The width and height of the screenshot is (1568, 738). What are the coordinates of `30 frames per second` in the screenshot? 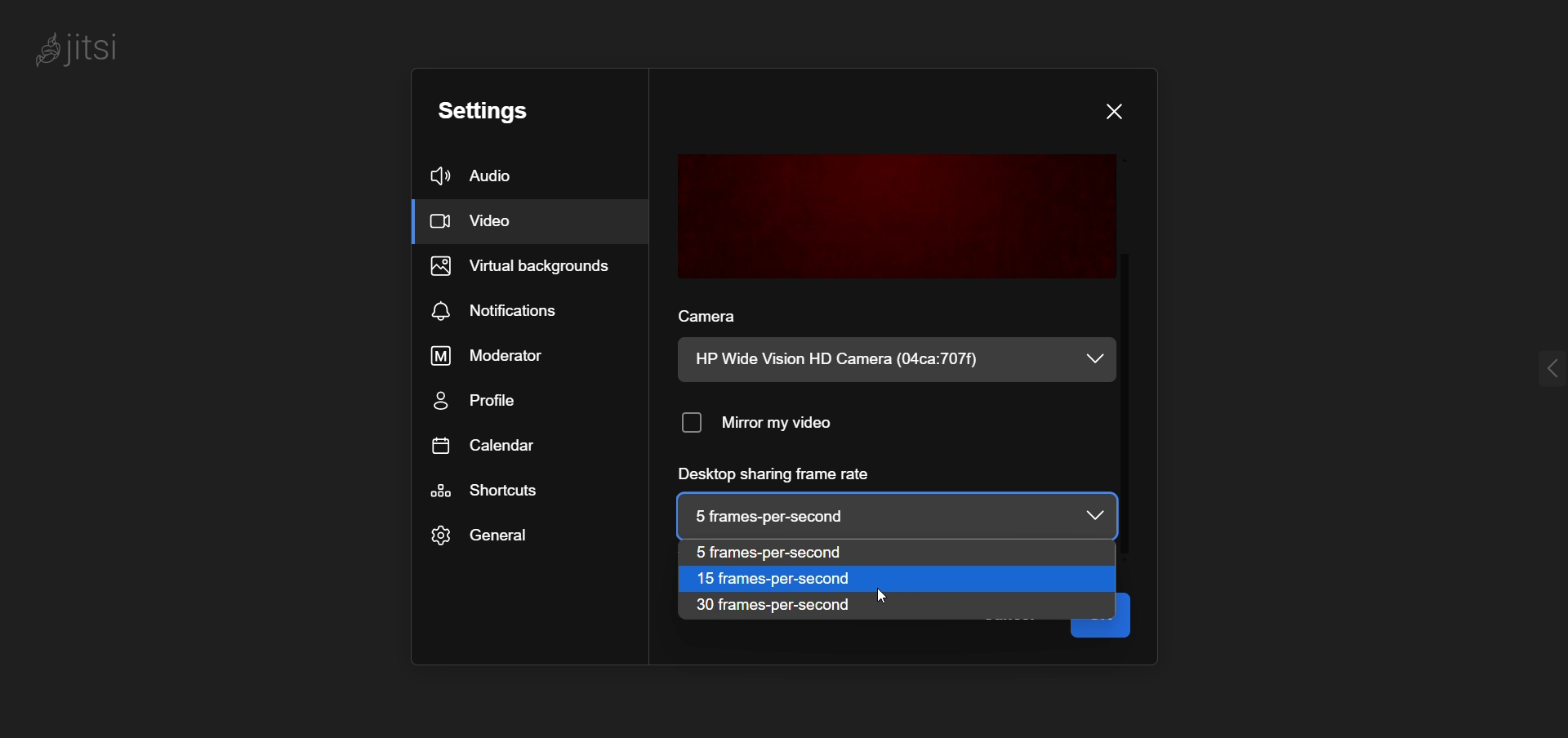 It's located at (785, 604).